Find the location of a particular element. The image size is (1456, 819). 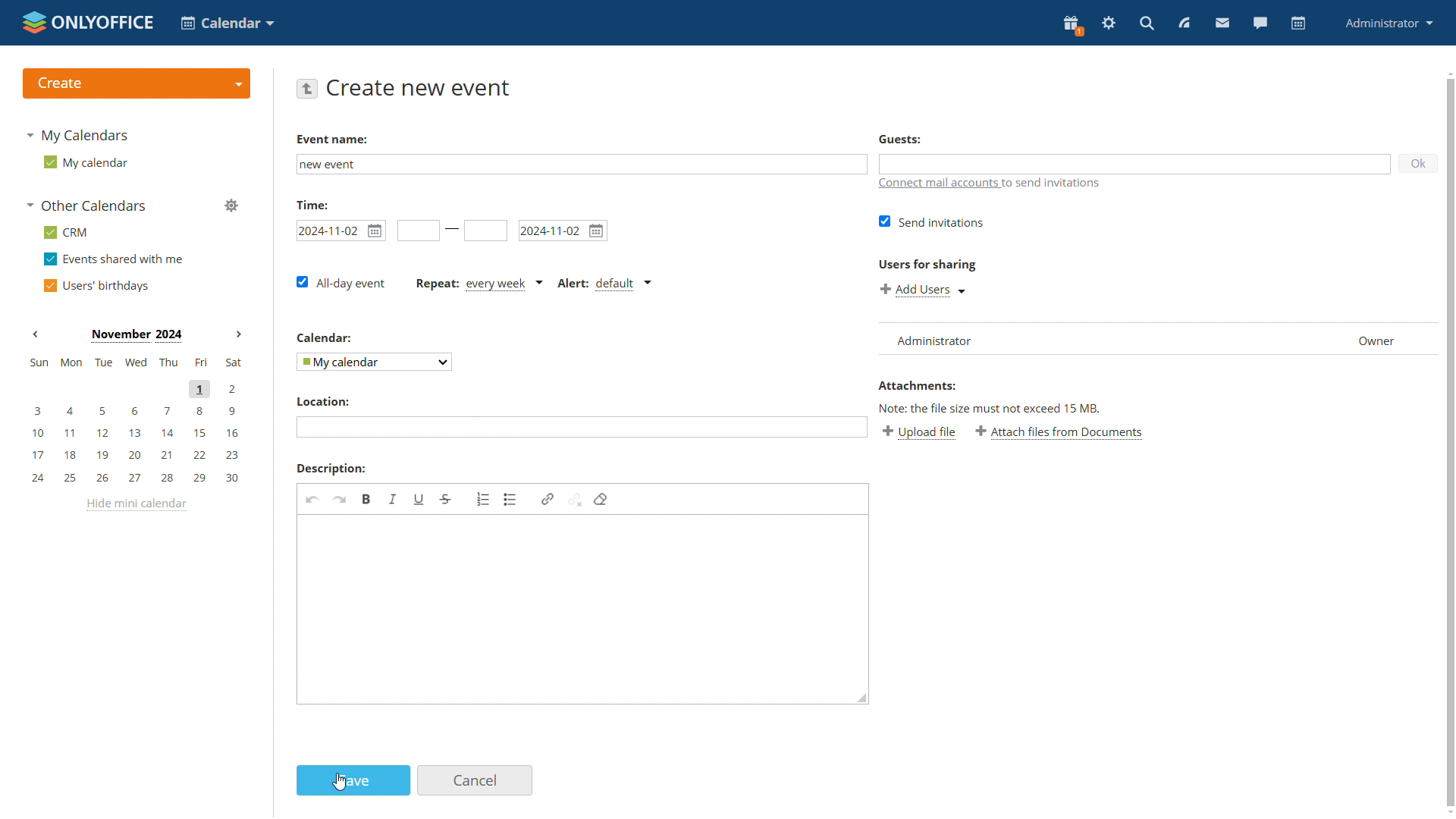

Event name is located at coordinates (331, 139).